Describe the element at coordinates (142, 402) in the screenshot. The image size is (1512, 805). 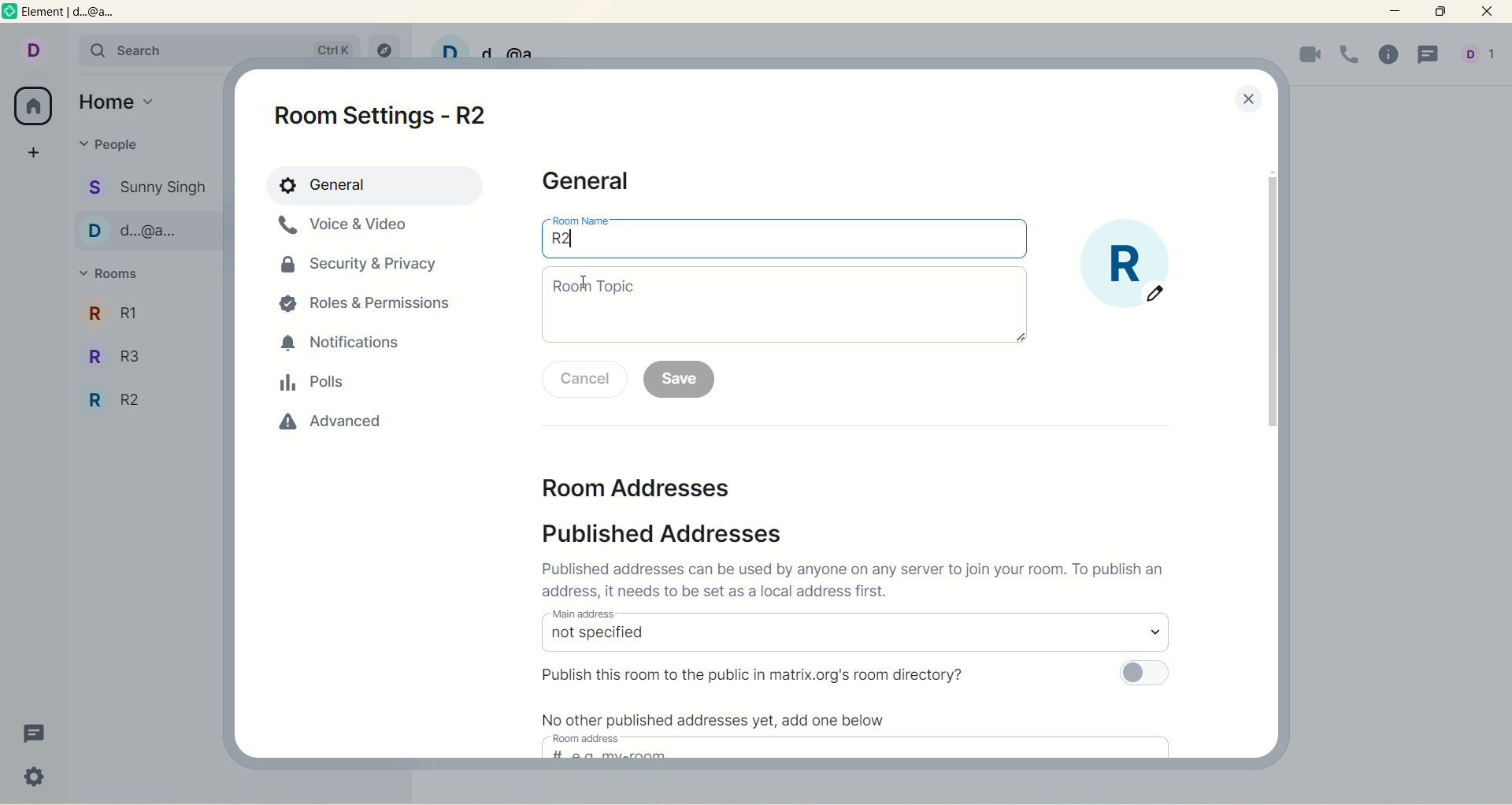
I see `R2` at that location.